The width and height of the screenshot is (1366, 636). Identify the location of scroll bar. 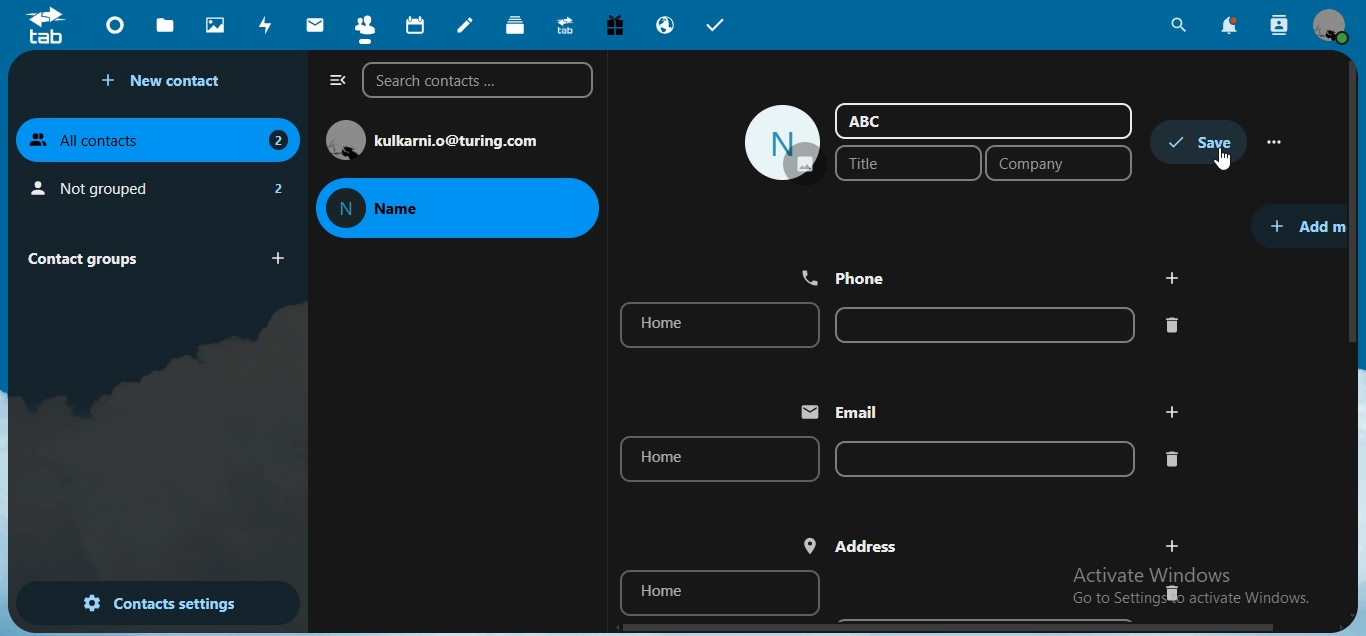
(1354, 205).